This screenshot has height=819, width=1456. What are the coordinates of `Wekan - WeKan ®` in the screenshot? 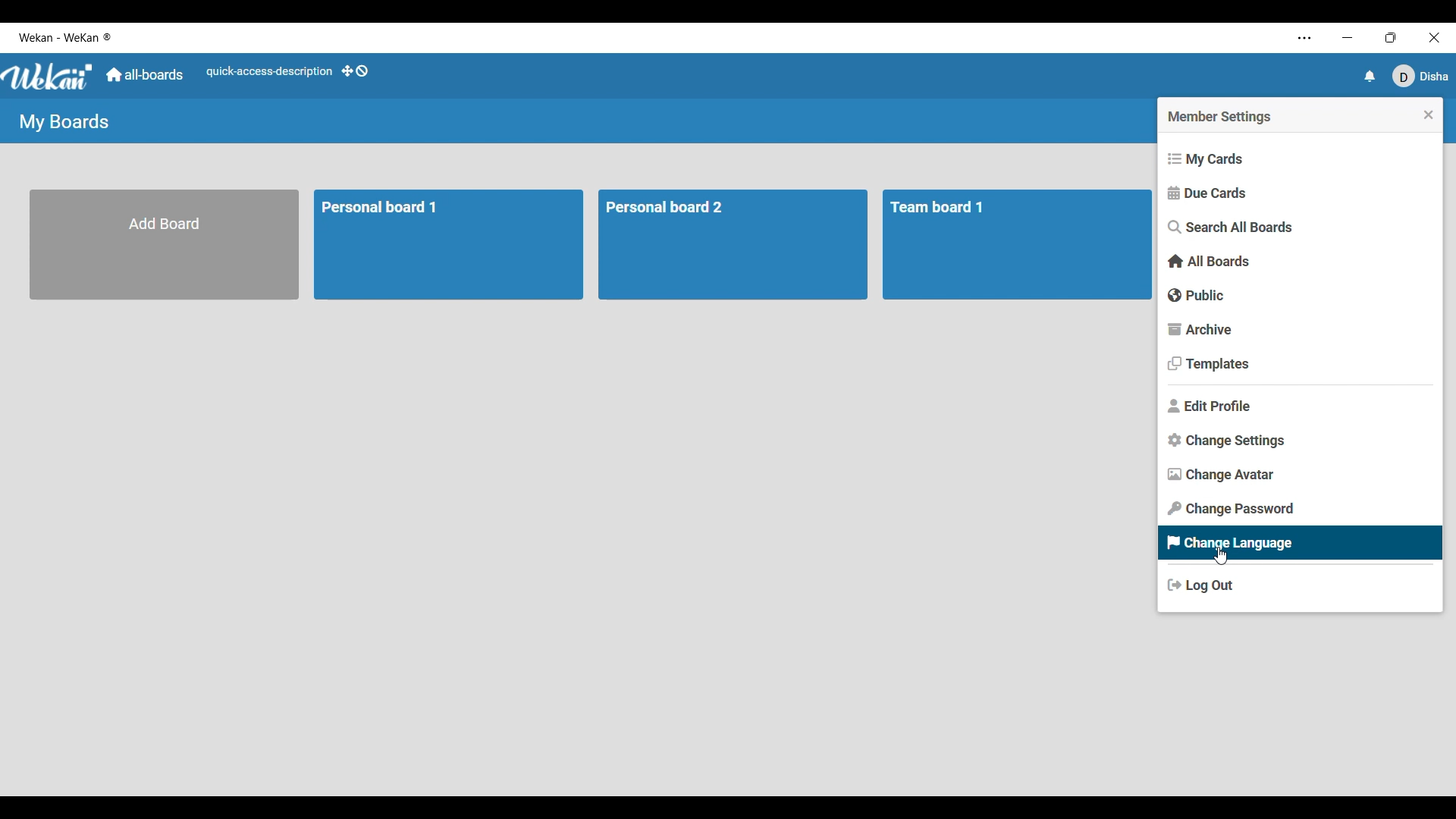 It's located at (67, 38).